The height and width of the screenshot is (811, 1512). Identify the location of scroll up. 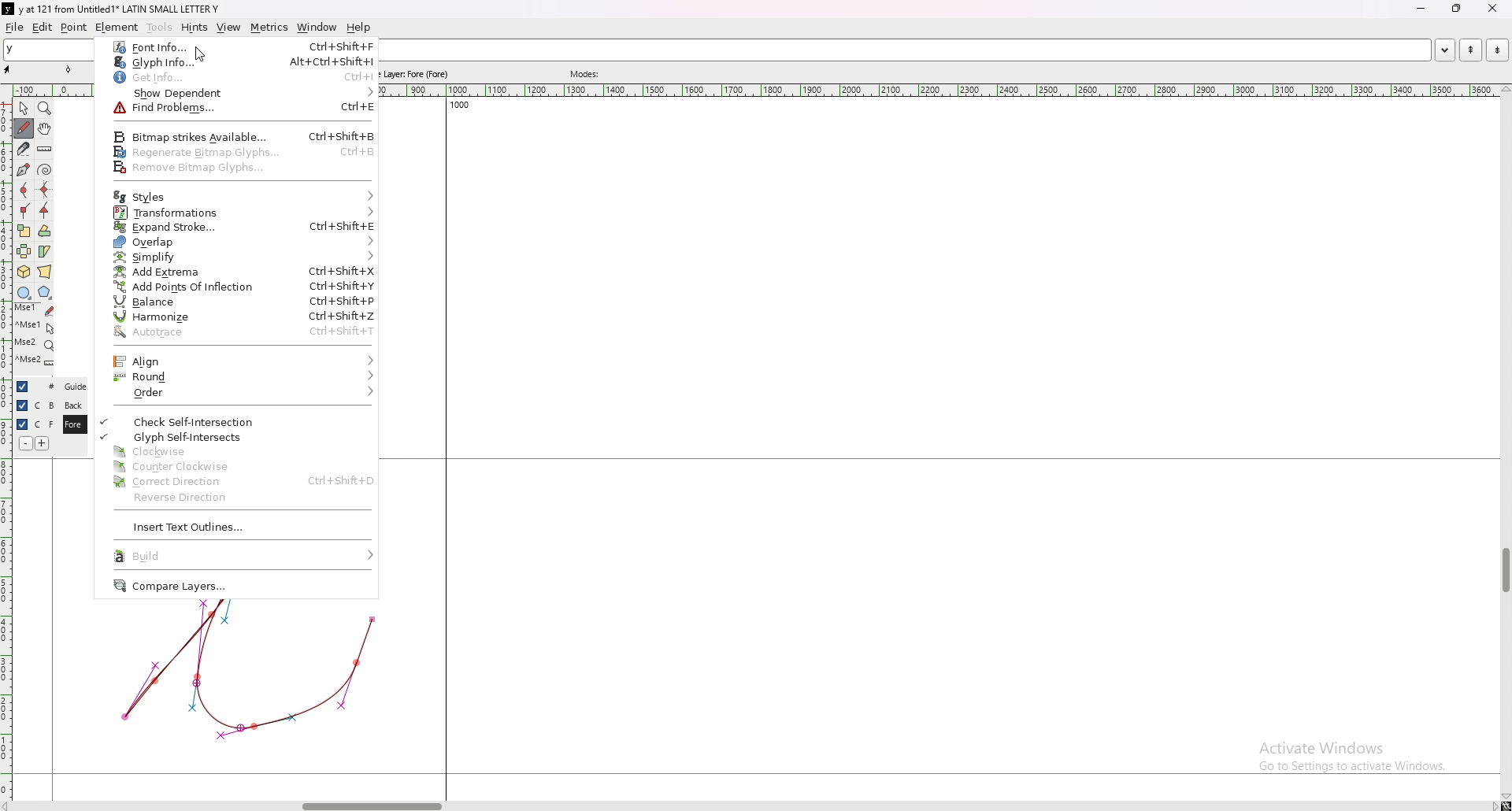
(1503, 90).